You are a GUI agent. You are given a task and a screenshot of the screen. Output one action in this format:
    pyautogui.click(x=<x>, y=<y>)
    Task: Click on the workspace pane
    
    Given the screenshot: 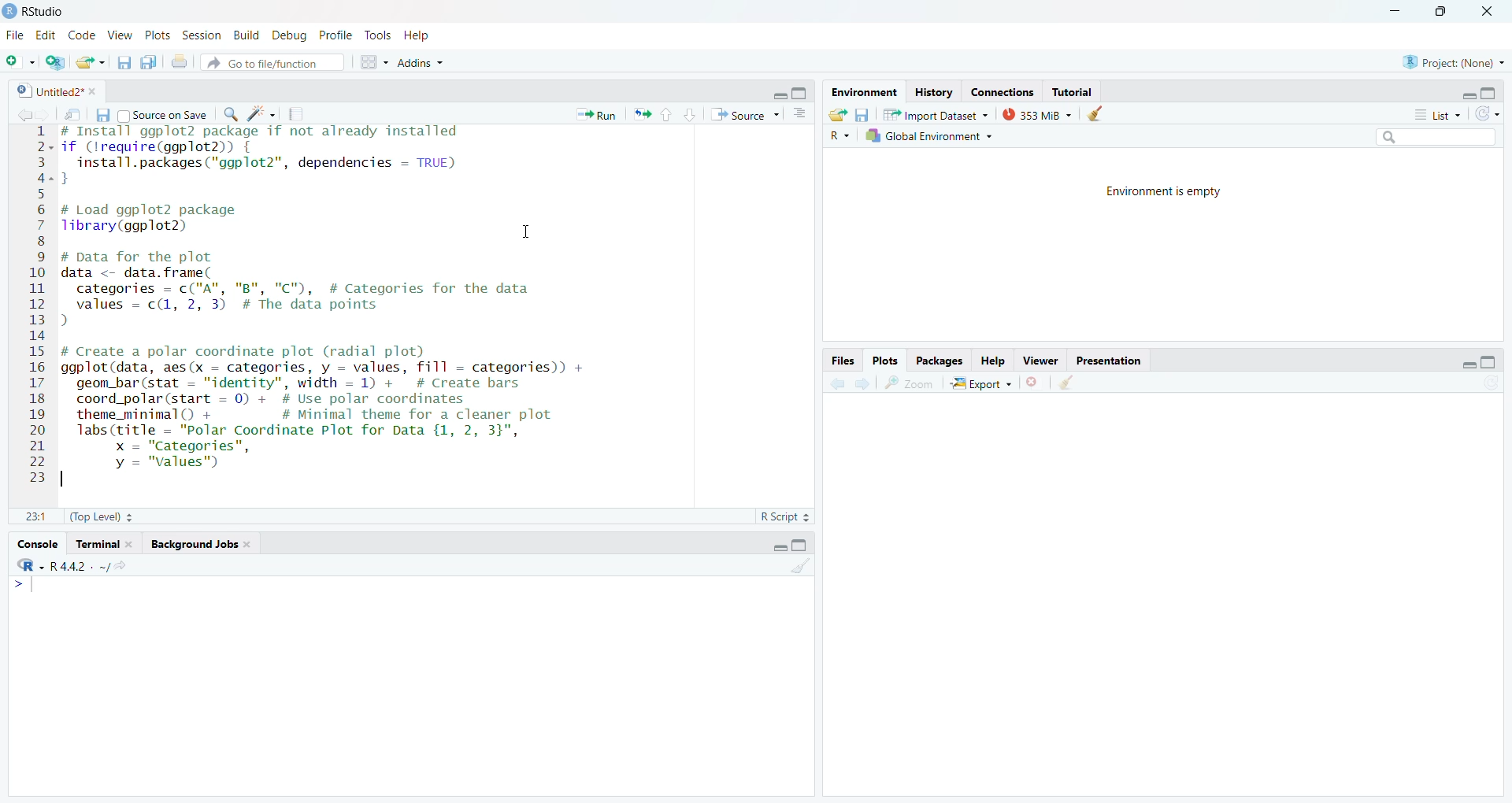 What is the action you would take?
    pyautogui.click(x=376, y=62)
    